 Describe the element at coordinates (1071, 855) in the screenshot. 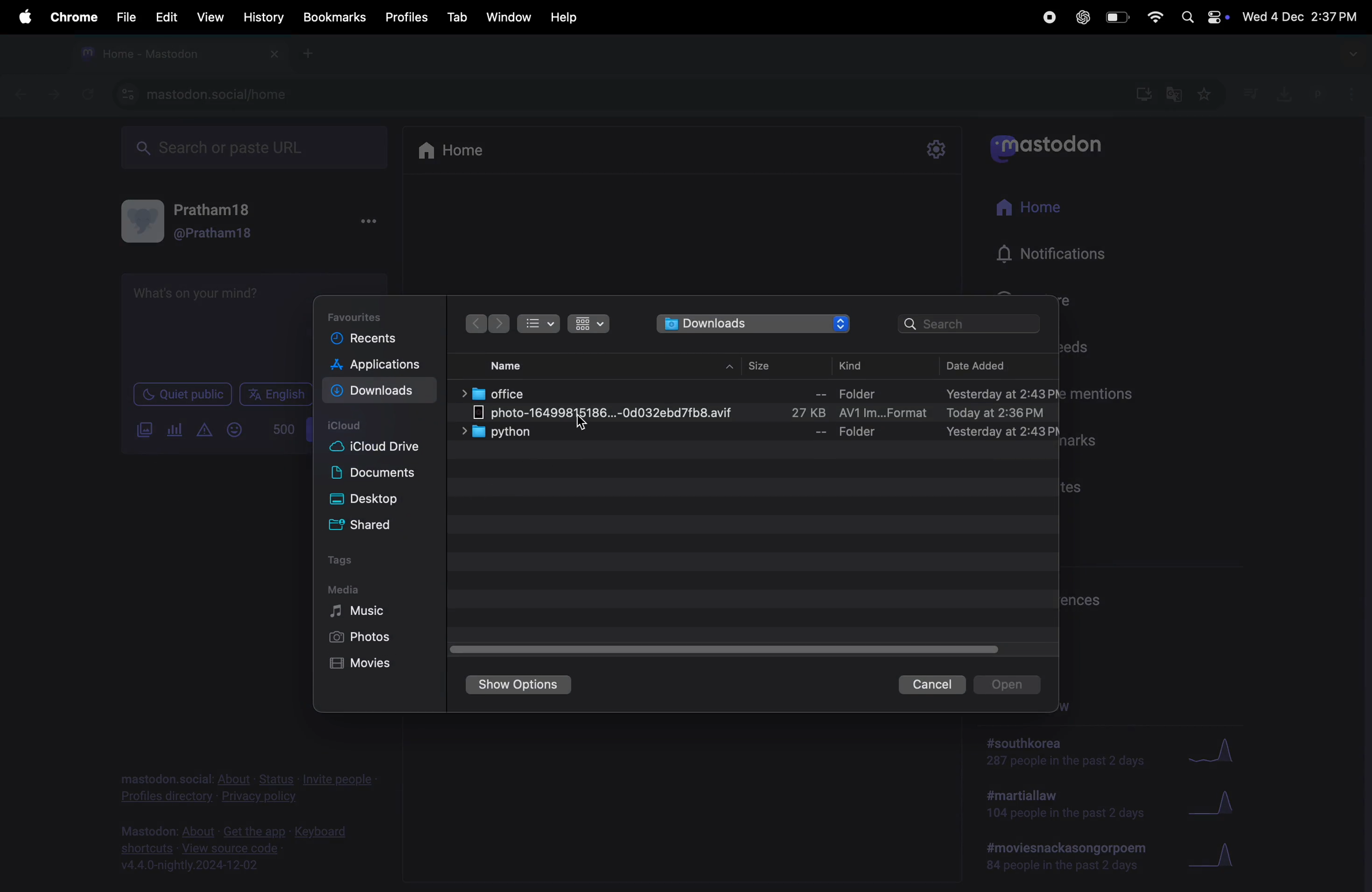

I see `#moviessnackand poem` at that location.